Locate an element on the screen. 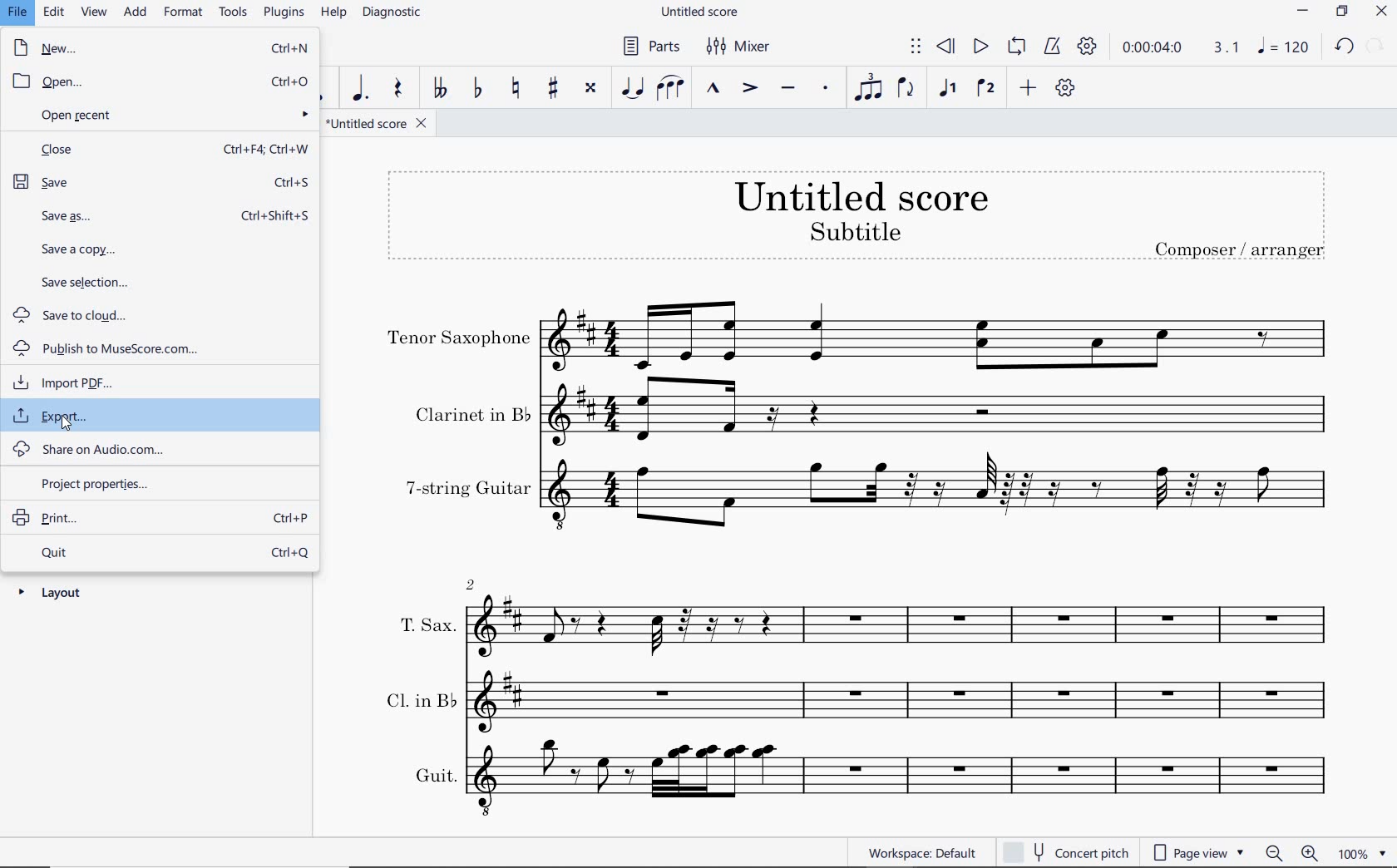 This screenshot has width=1397, height=868. new is located at coordinates (166, 49).